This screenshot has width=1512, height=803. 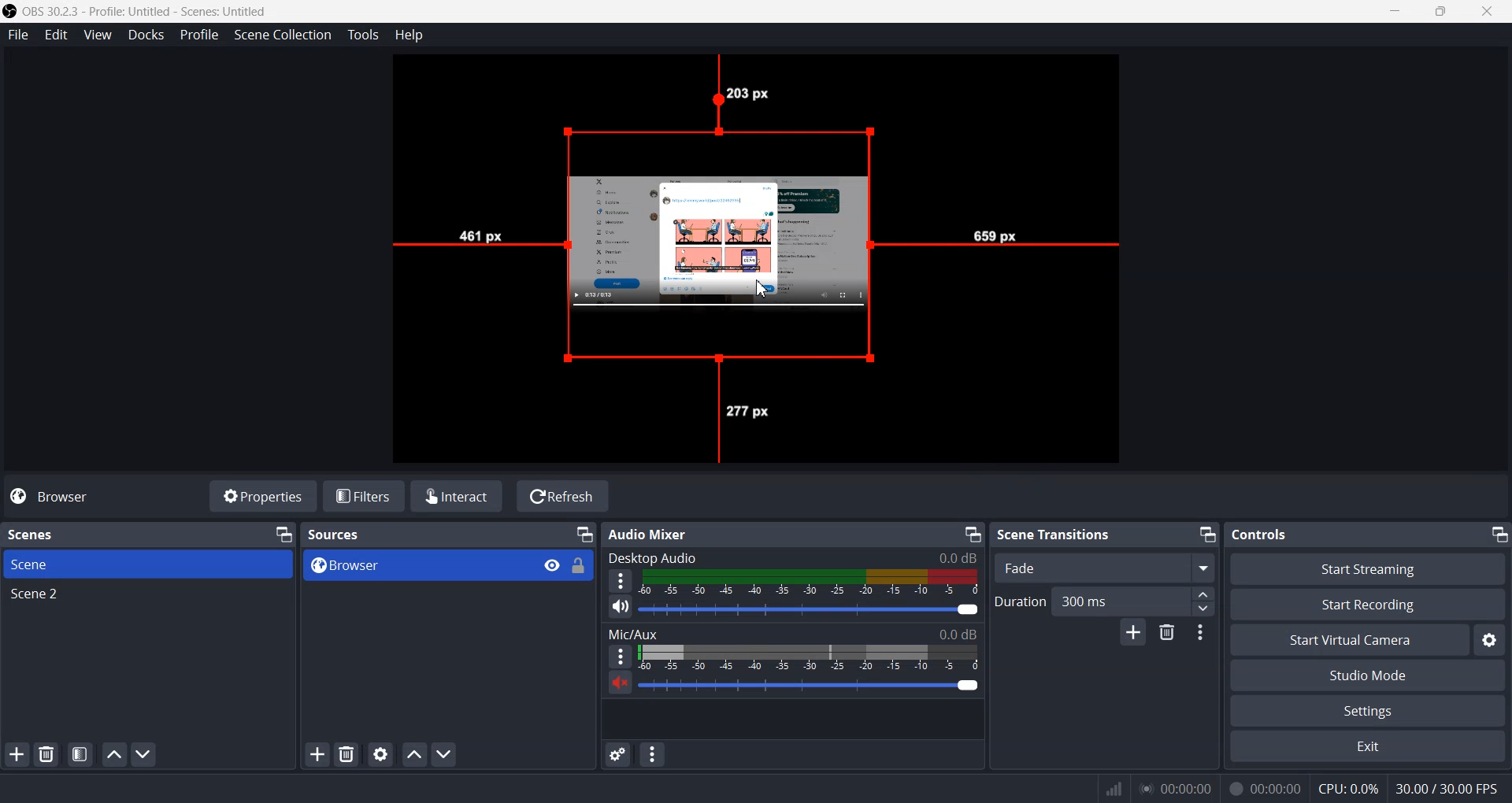 What do you see at coordinates (198, 34) in the screenshot?
I see `Profile` at bounding box center [198, 34].